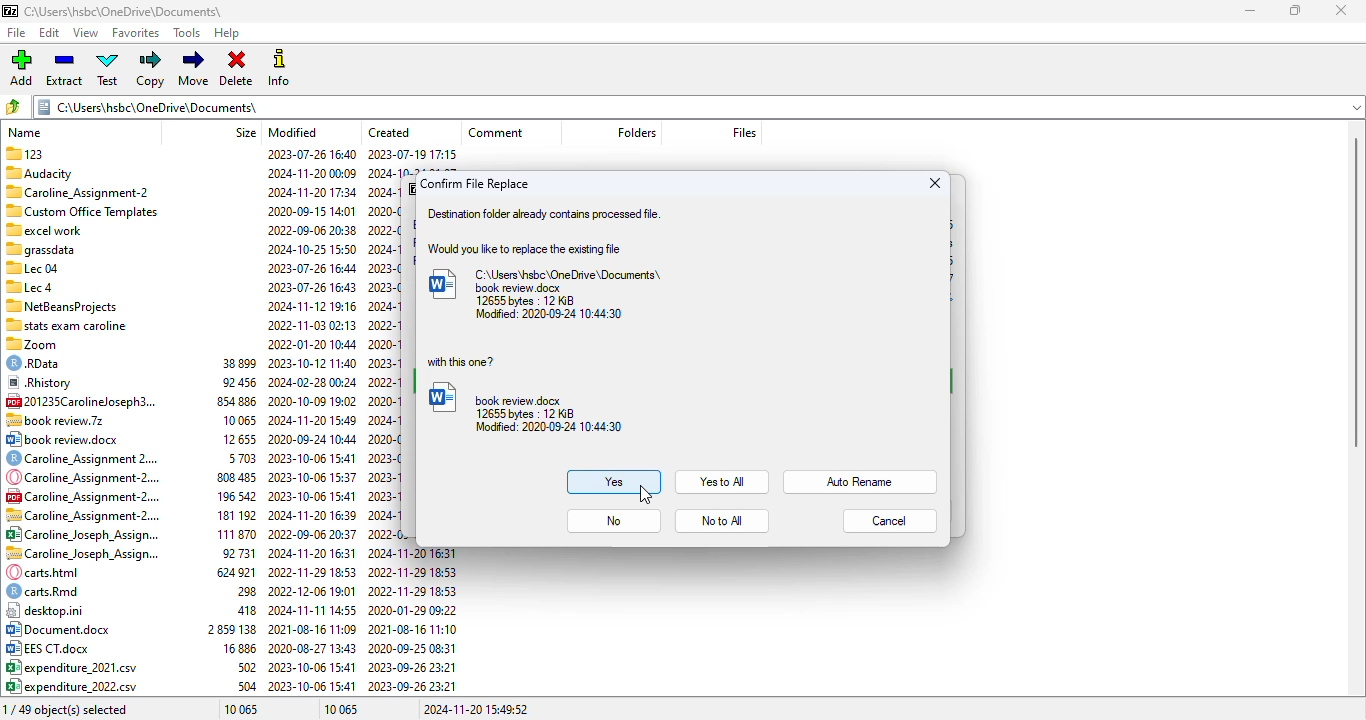  I want to click on edit, so click(49, 32).